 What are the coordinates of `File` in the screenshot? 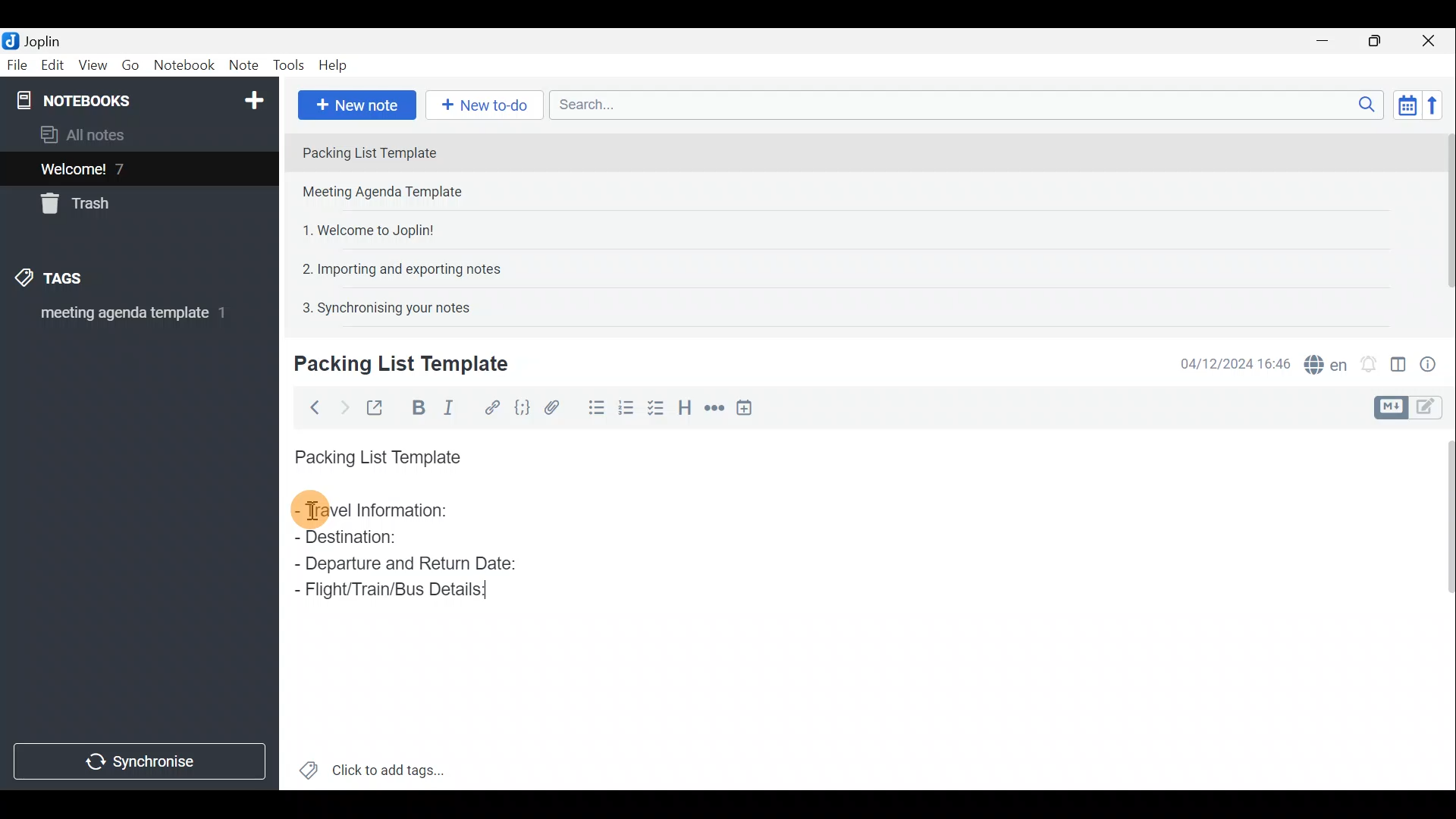 It's located at (15, 64).